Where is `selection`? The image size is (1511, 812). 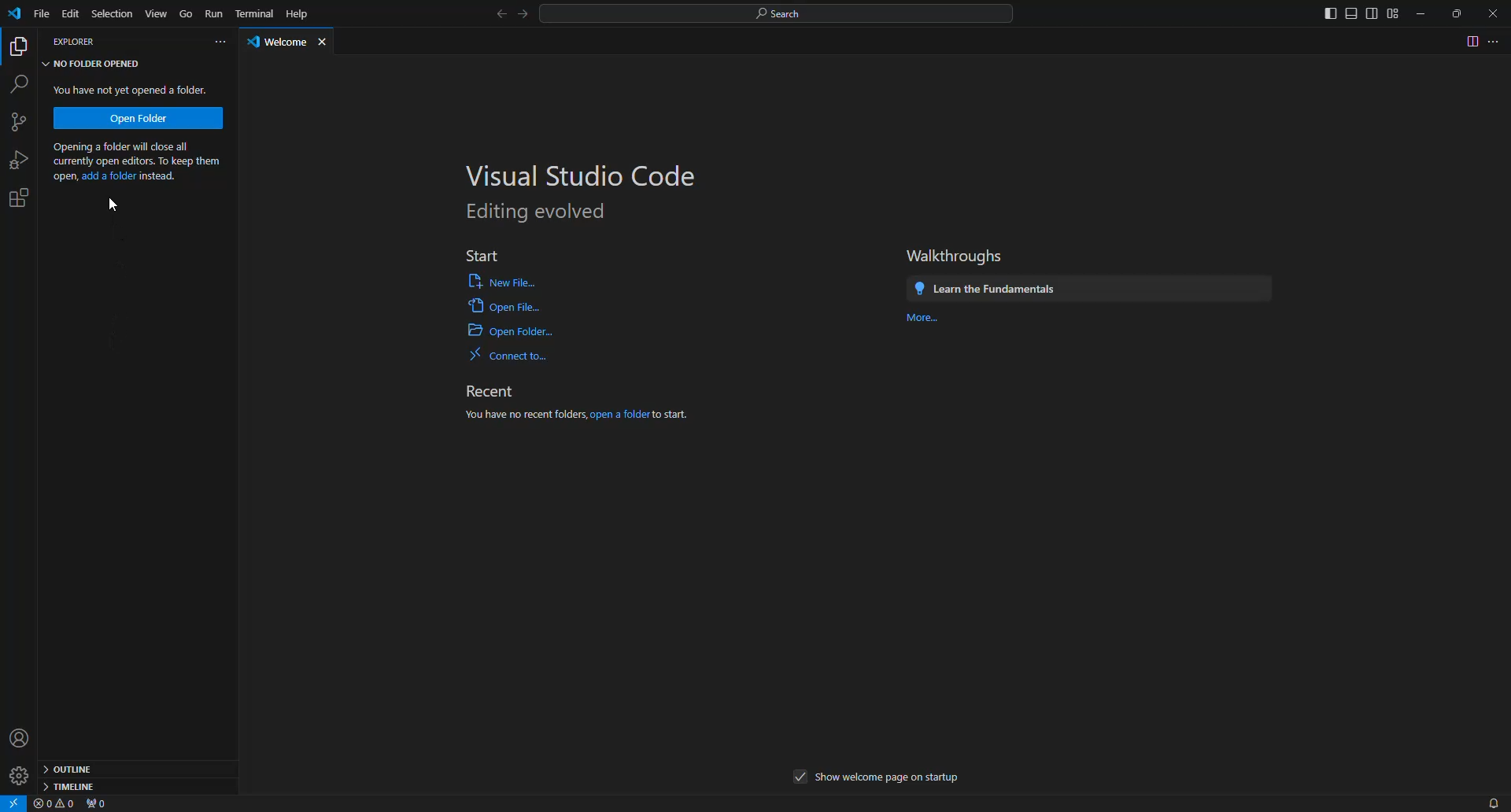 selection is located at coordinates (111, 13).